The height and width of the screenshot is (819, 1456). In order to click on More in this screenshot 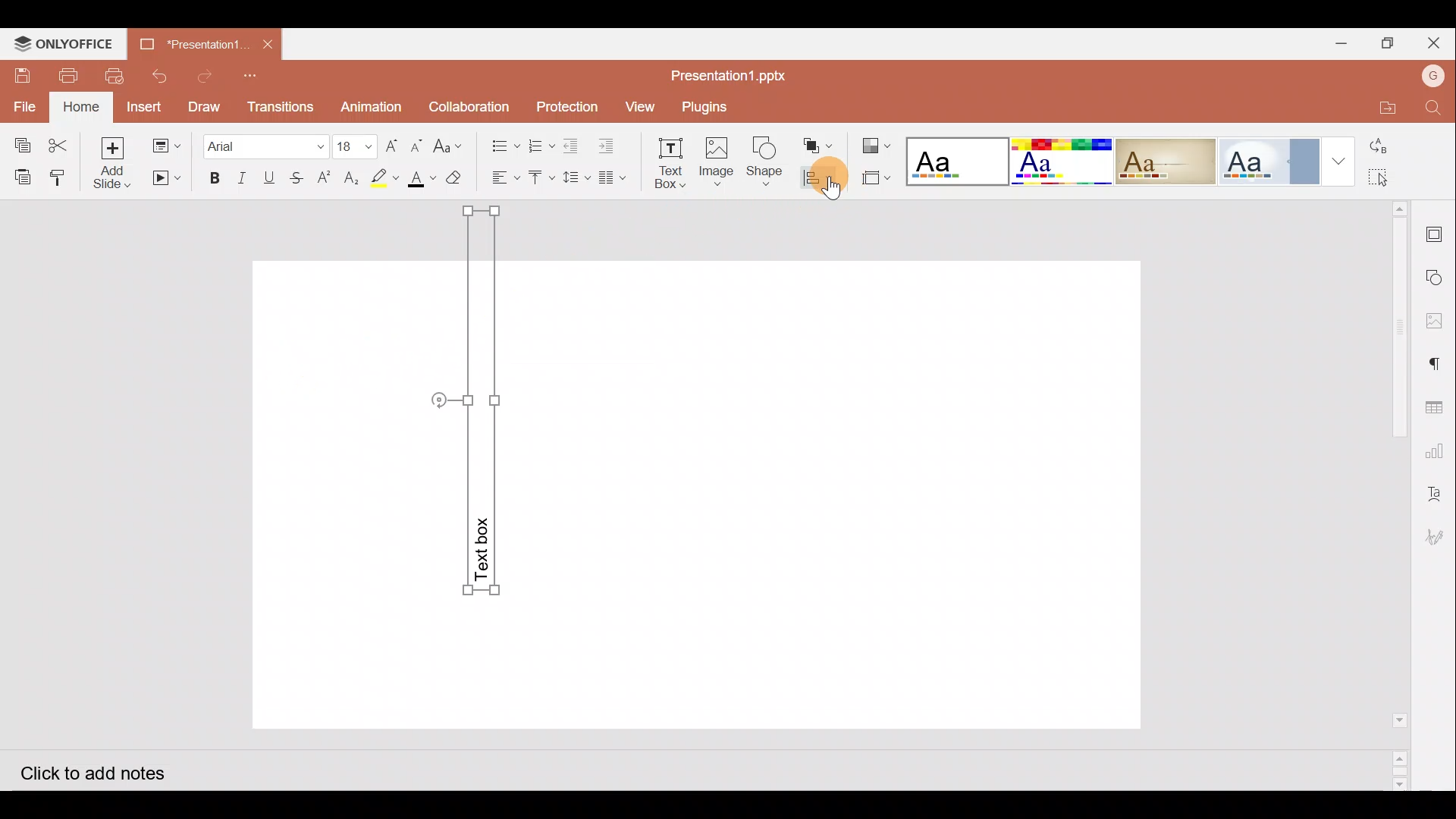, I will do `click(1339, 165)`.